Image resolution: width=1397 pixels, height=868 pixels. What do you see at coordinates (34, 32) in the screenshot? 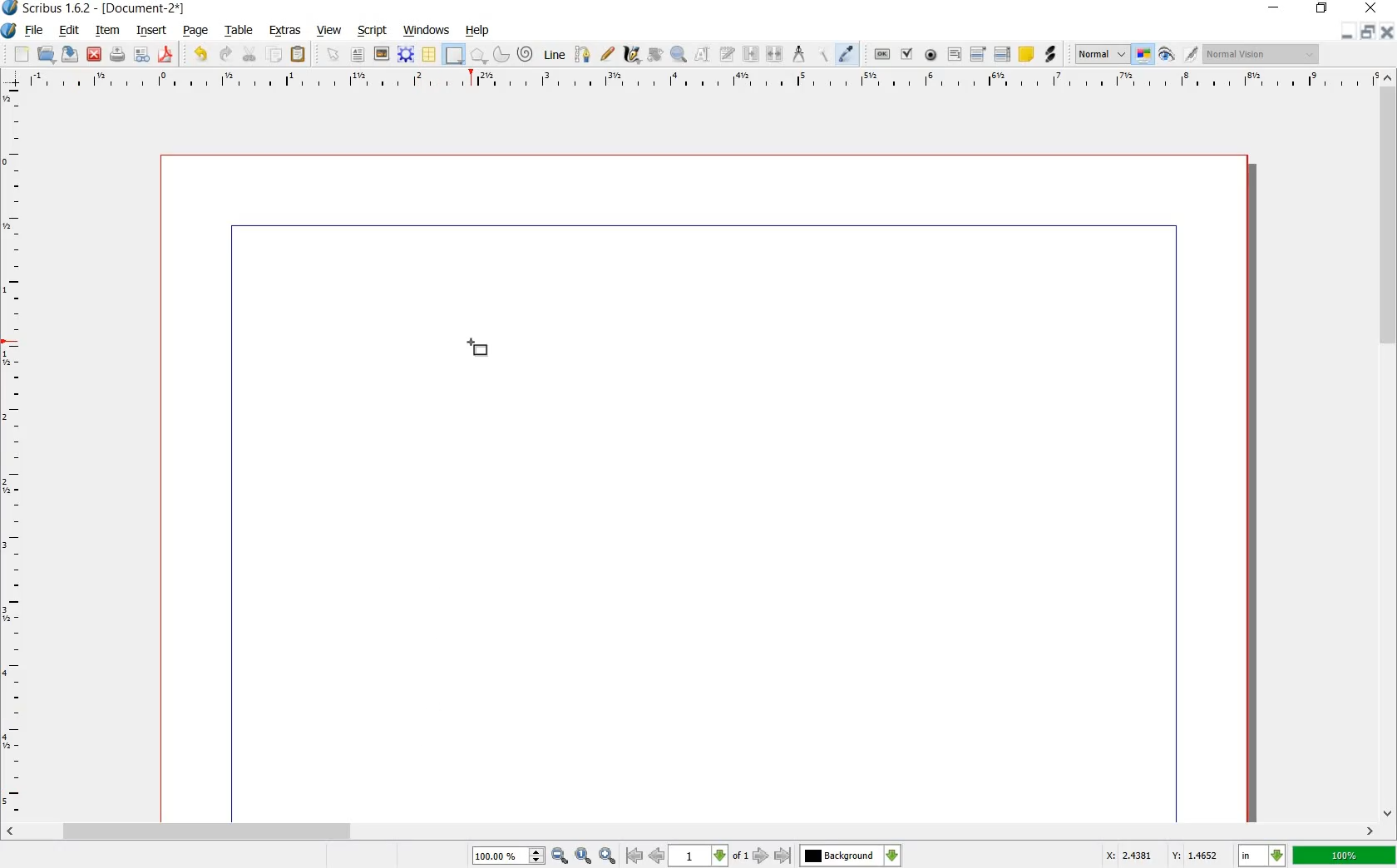
I see `FILE` at bounding box center [34, 32].